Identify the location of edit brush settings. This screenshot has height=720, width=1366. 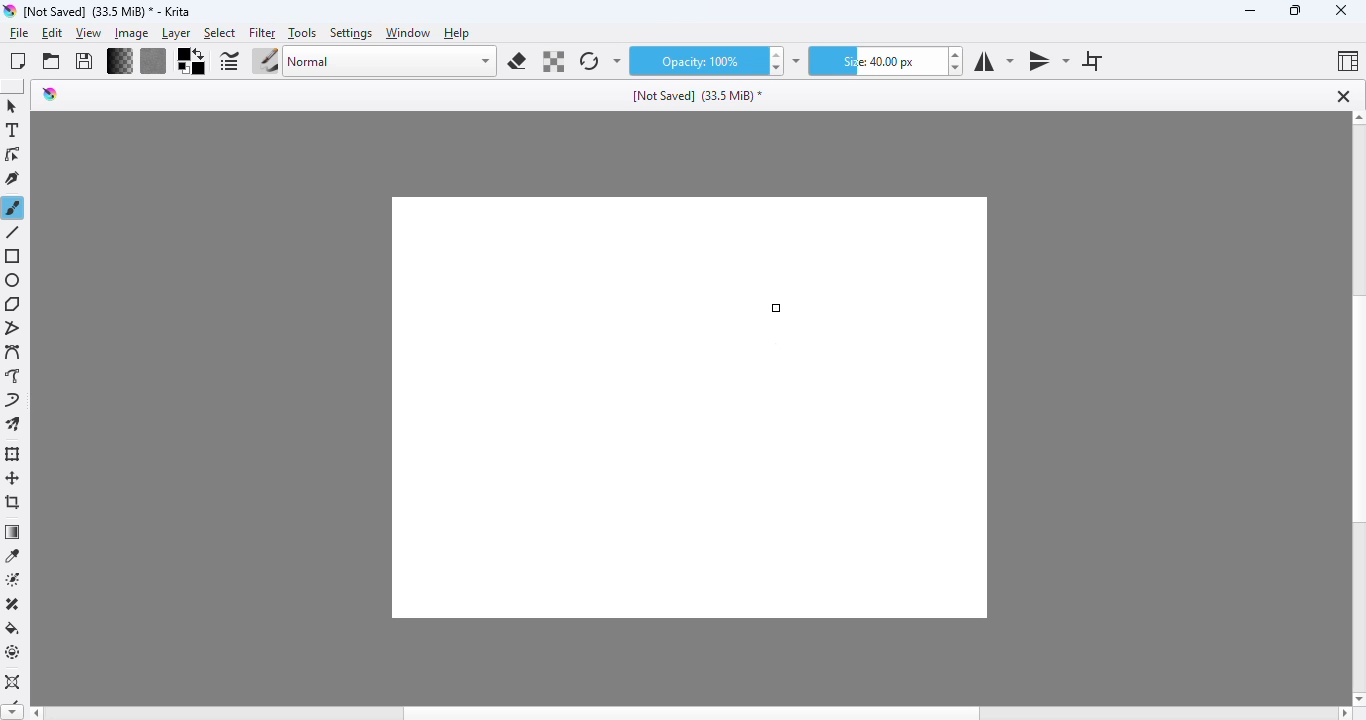
(230, 60).